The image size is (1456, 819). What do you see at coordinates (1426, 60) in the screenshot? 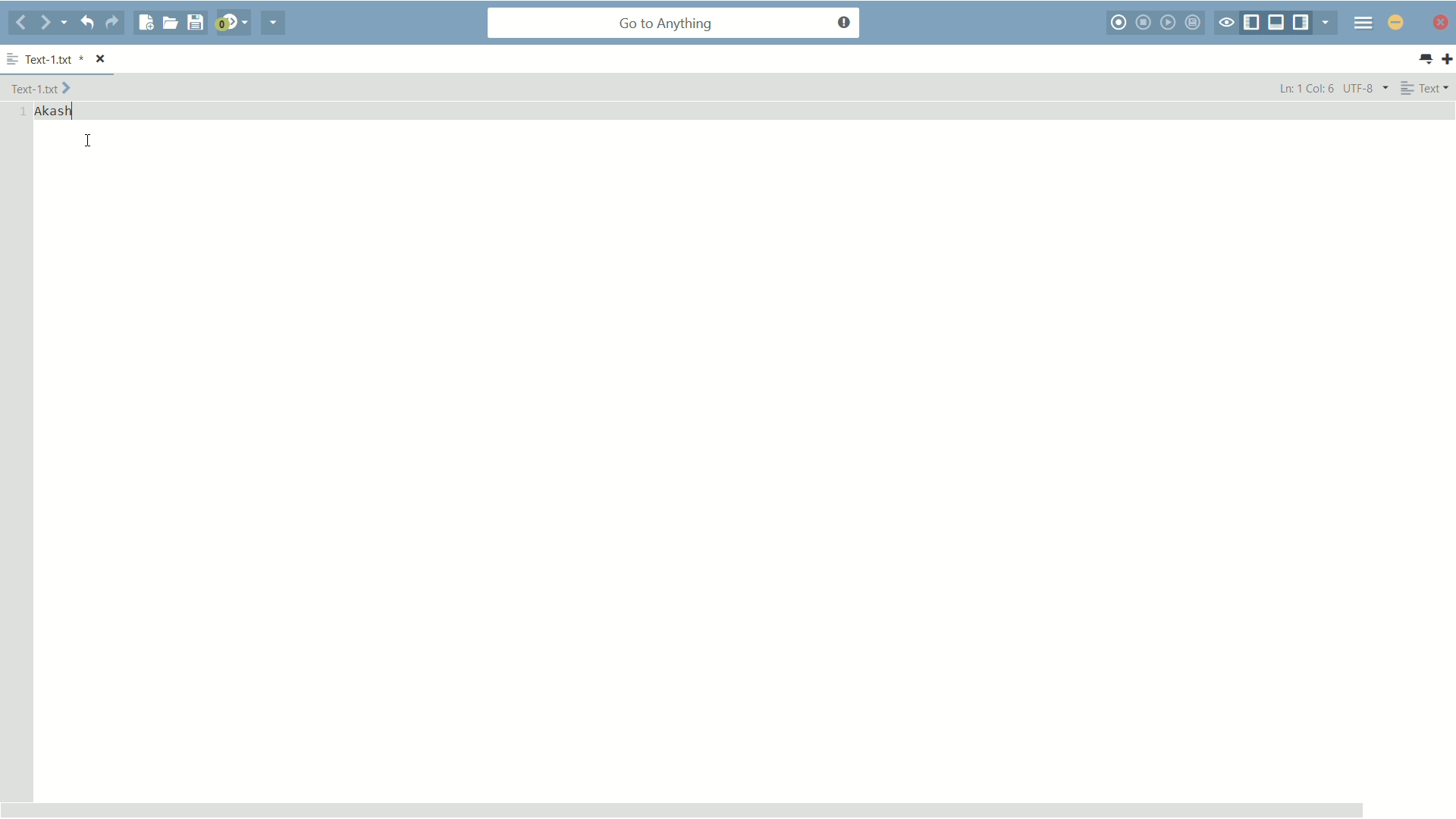
I see `show all tab` at bounding box center [1426, 60].